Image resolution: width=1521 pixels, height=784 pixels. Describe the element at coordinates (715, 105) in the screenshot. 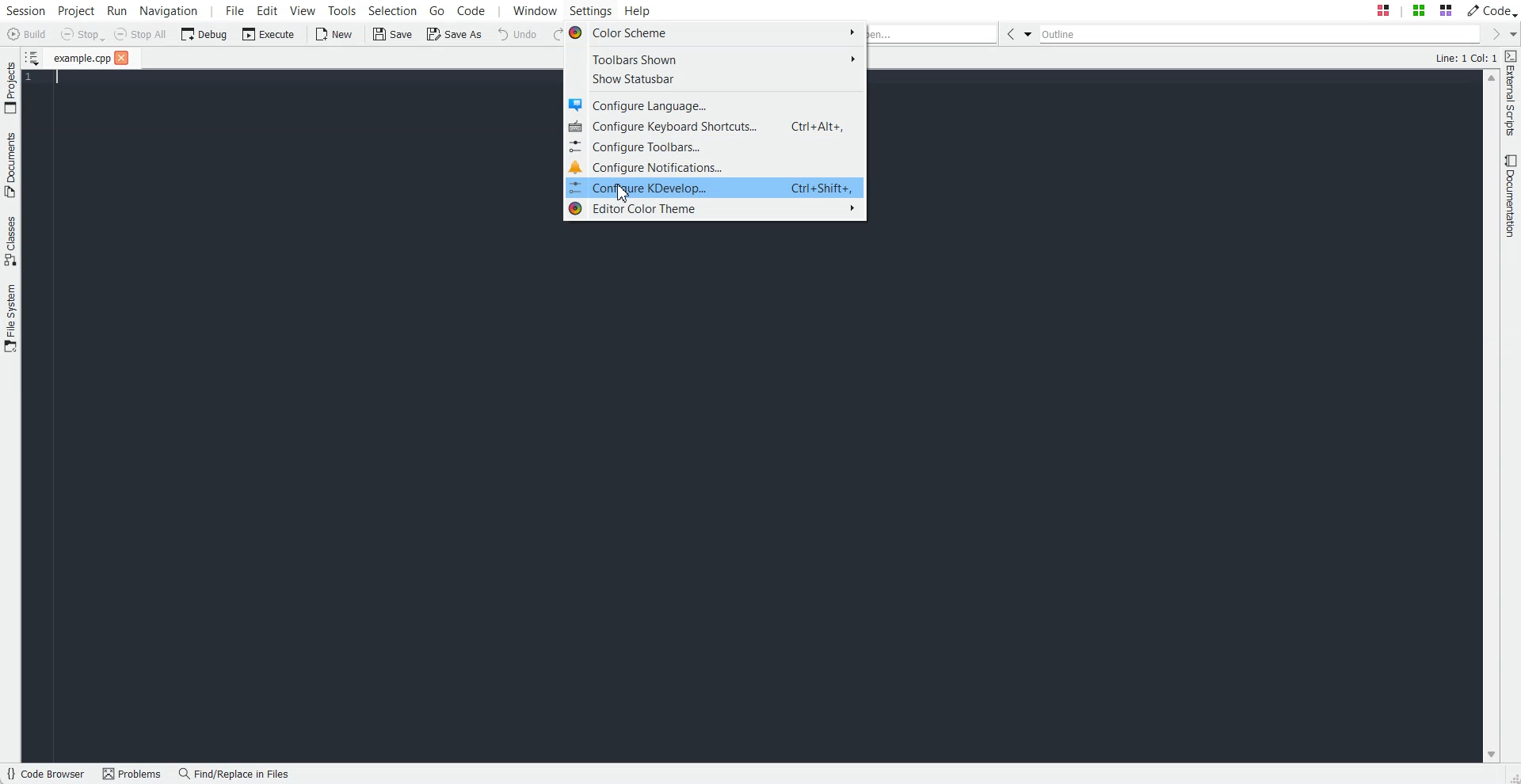

I see `Configure Language` at that location.